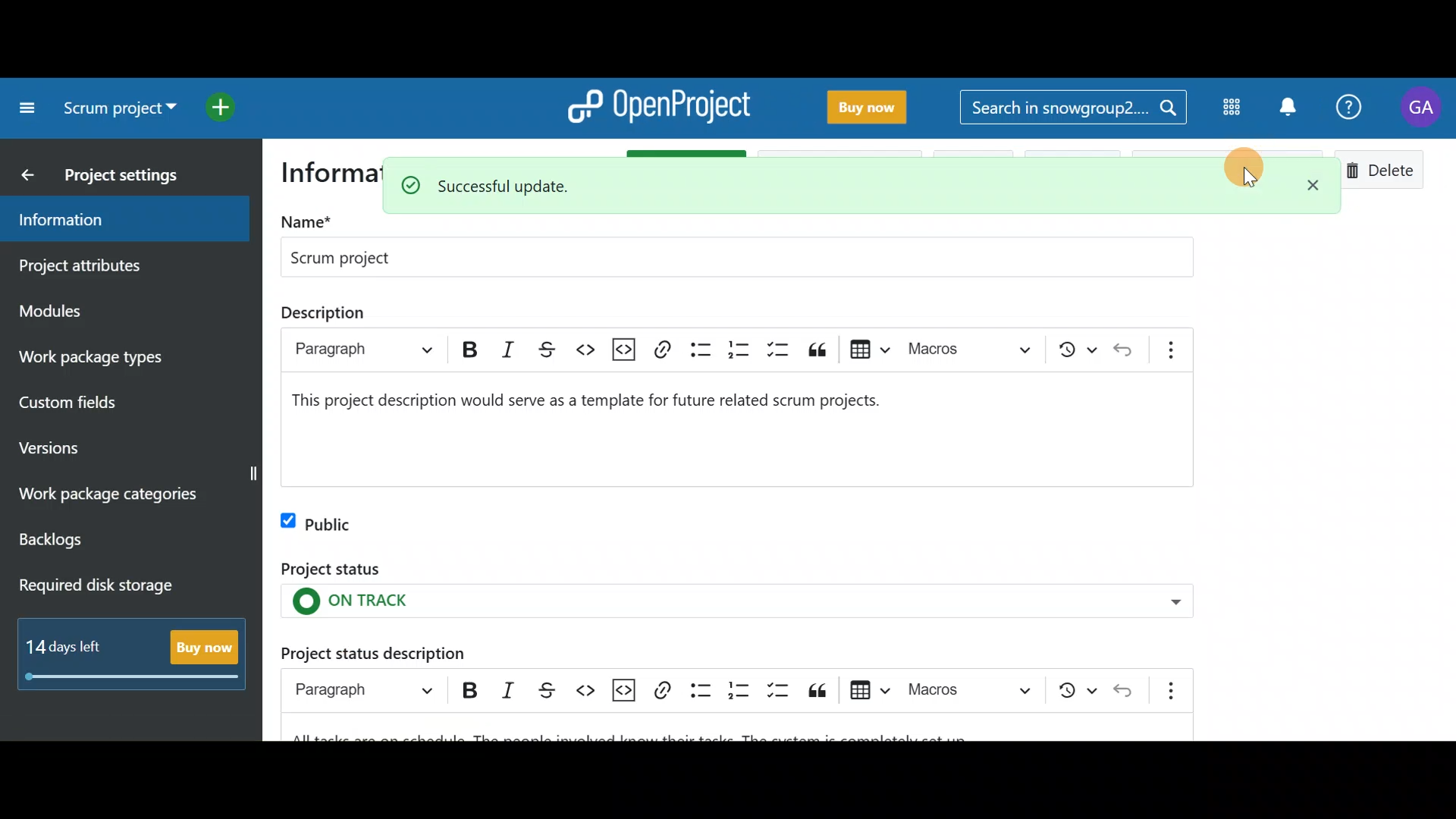  Describe the element at coordinates (470, 349) in the screenshot. I see `bold` at that location.